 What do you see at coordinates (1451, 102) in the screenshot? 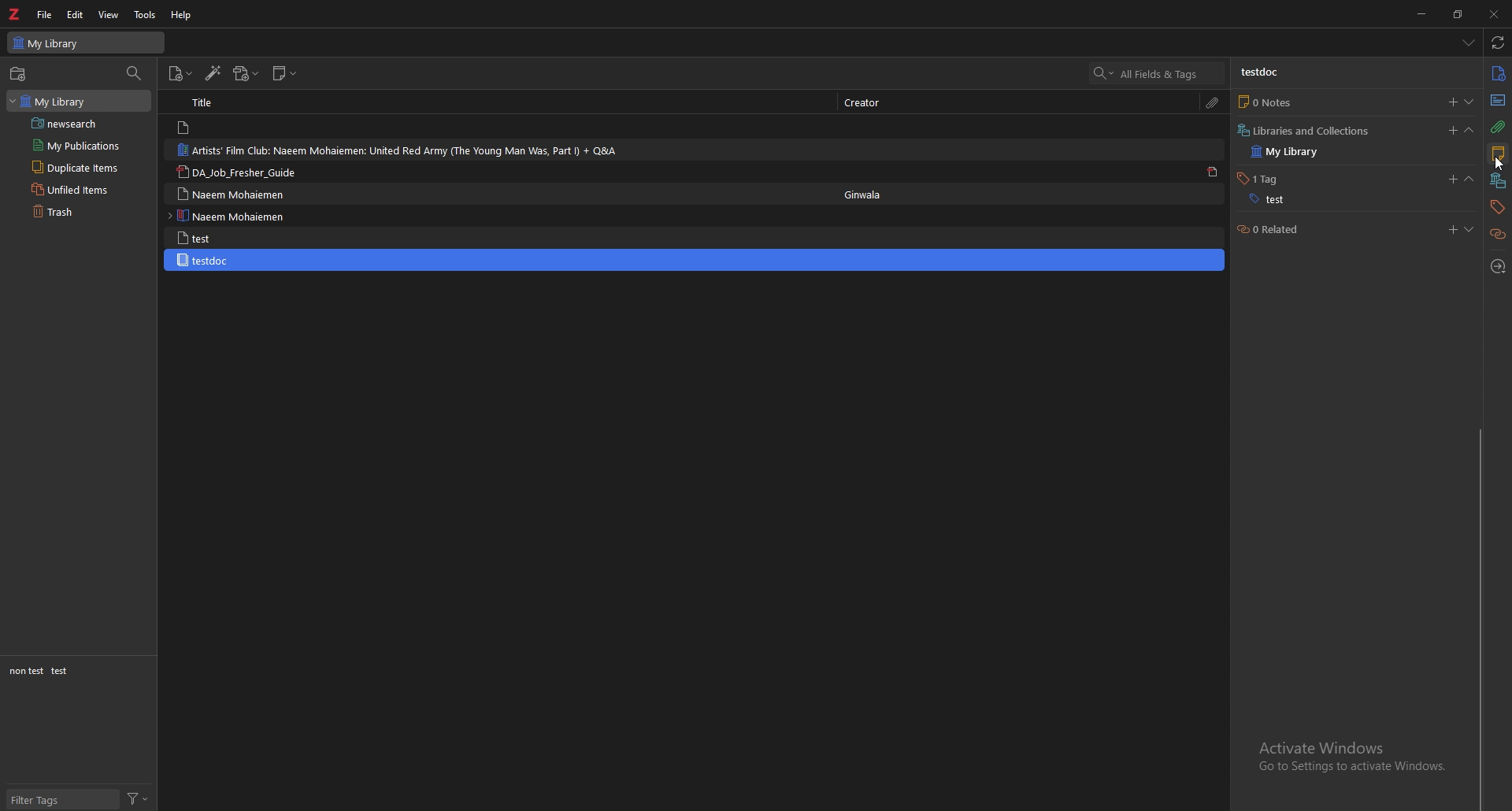
I see `add notes` at bounding box center [1451, 102].